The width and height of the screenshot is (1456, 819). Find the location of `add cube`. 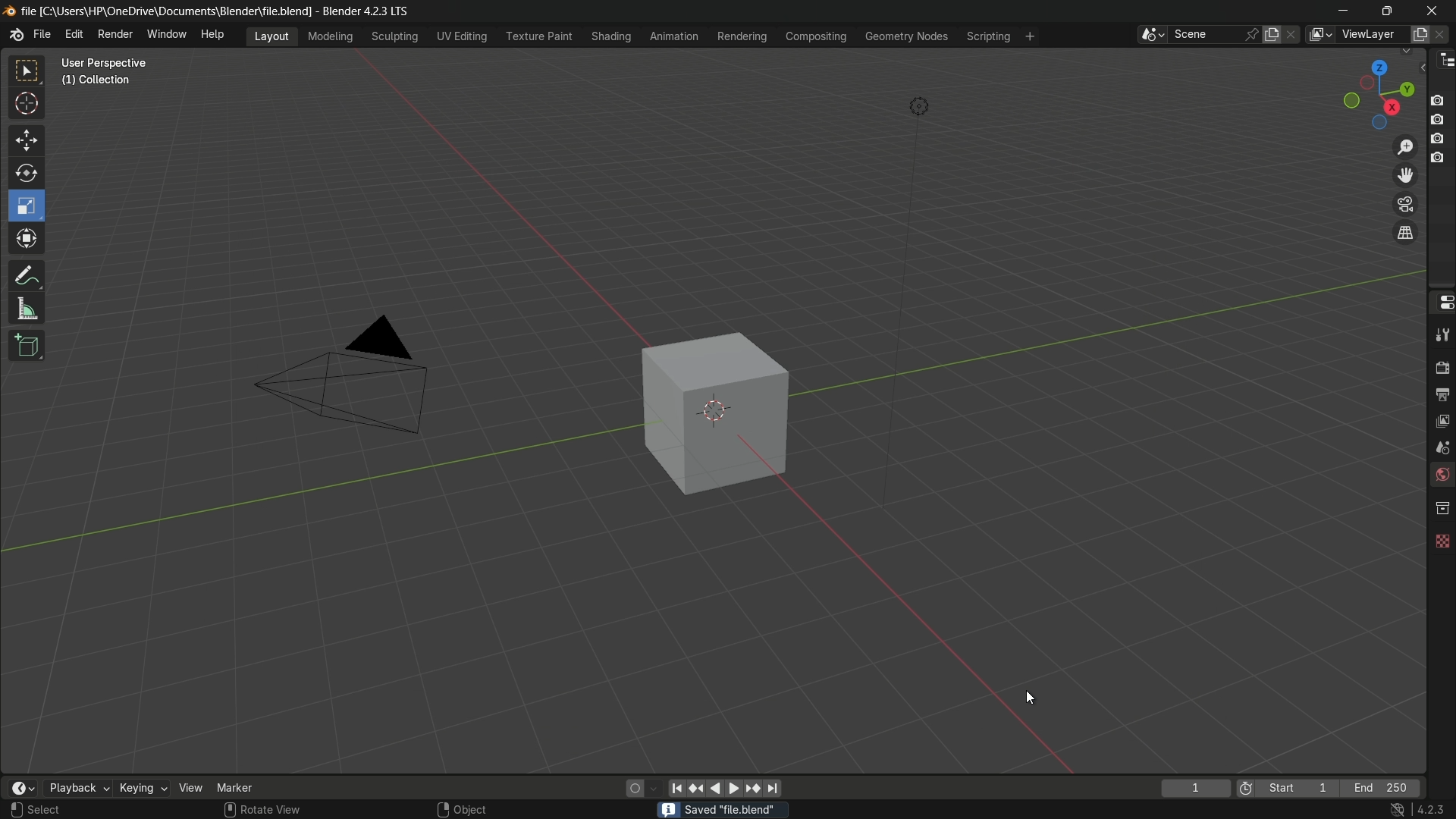

add cube is located at coordinates (24, 347).